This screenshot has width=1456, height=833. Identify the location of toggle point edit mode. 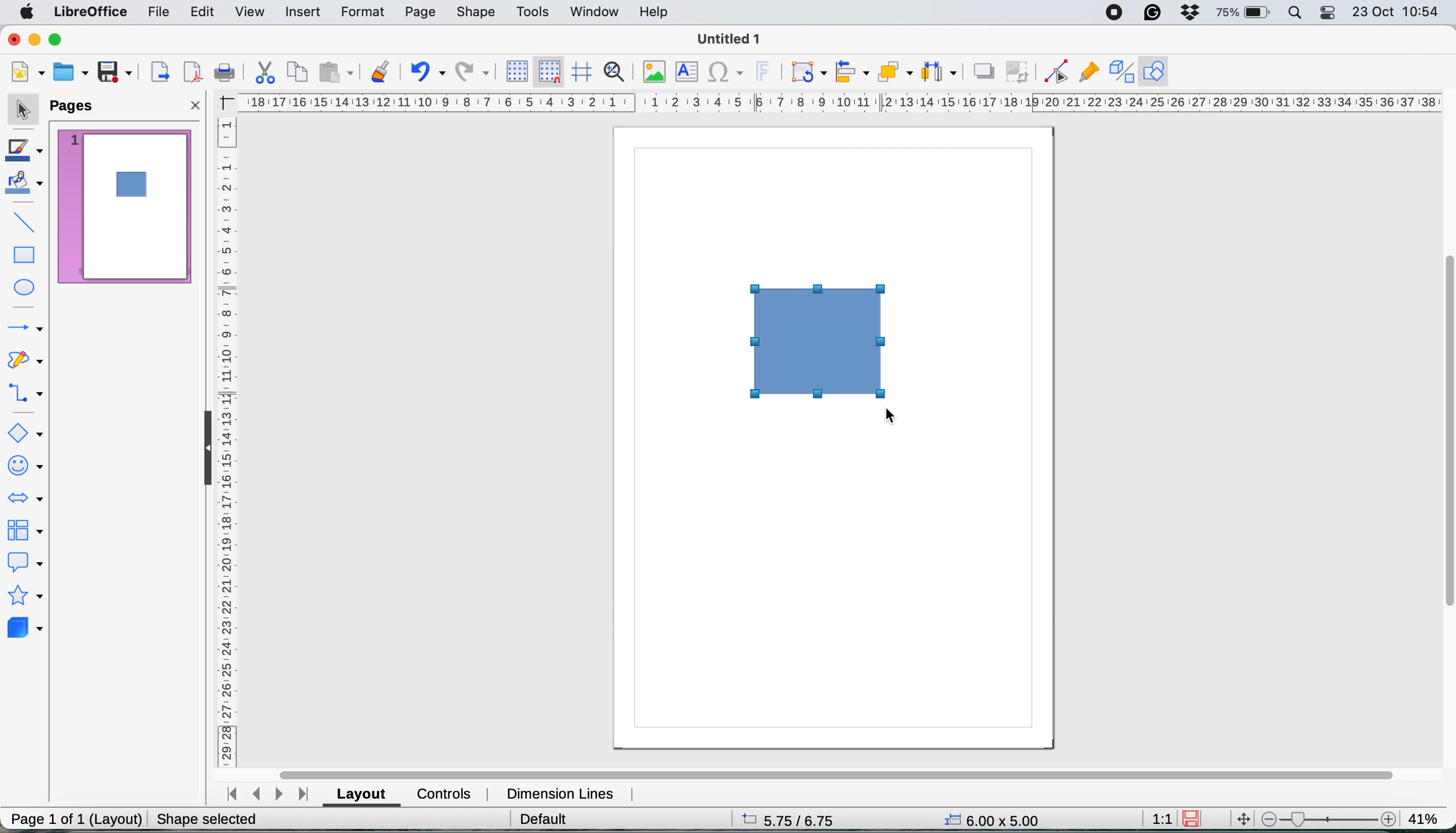
(1051, 73).